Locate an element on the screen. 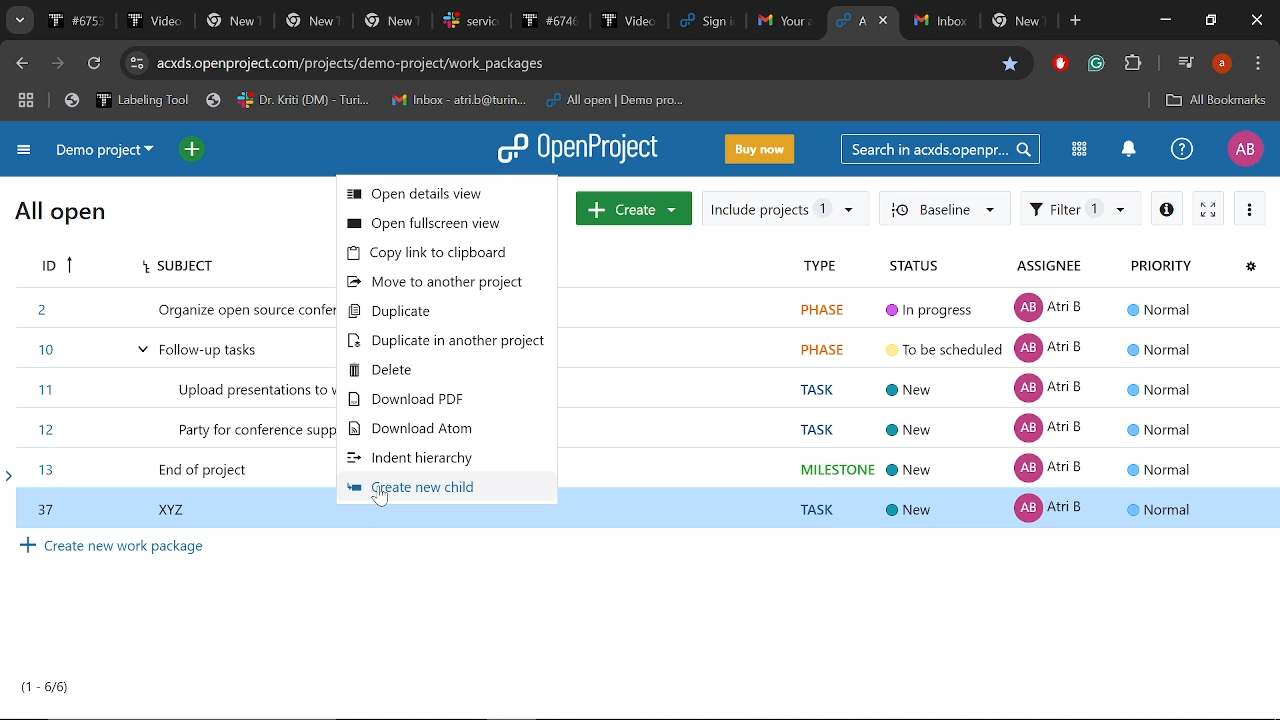  Add/remove bookmark is located at coordinates (1007, 65).